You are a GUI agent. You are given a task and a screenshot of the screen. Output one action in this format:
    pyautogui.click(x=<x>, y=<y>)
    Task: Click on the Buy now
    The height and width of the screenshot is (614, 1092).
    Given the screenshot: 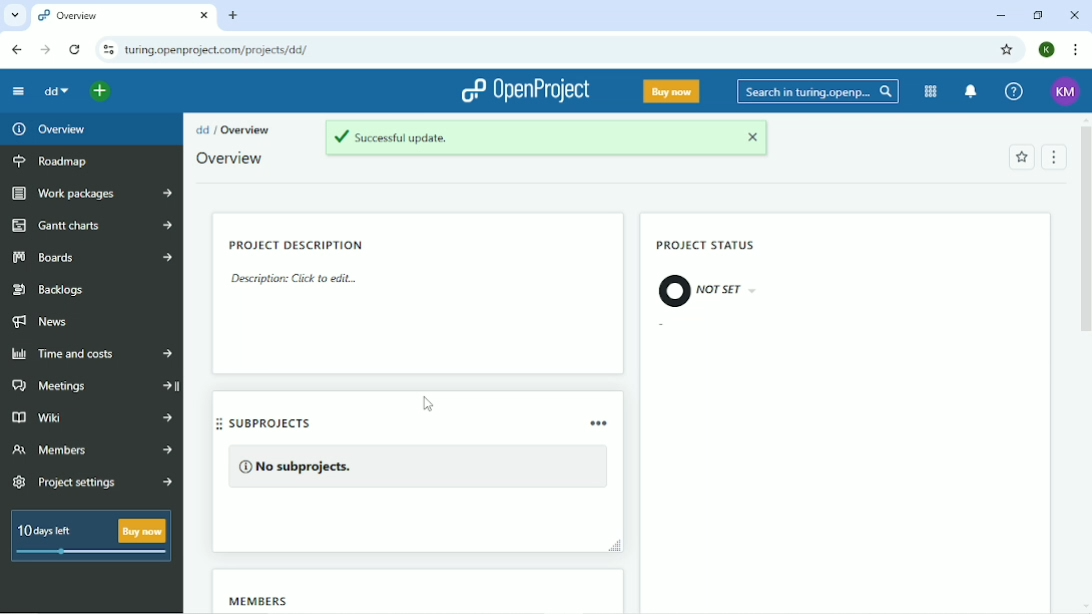 What is the action you would take?
    pyautogui.click(x=672, y=90)
    